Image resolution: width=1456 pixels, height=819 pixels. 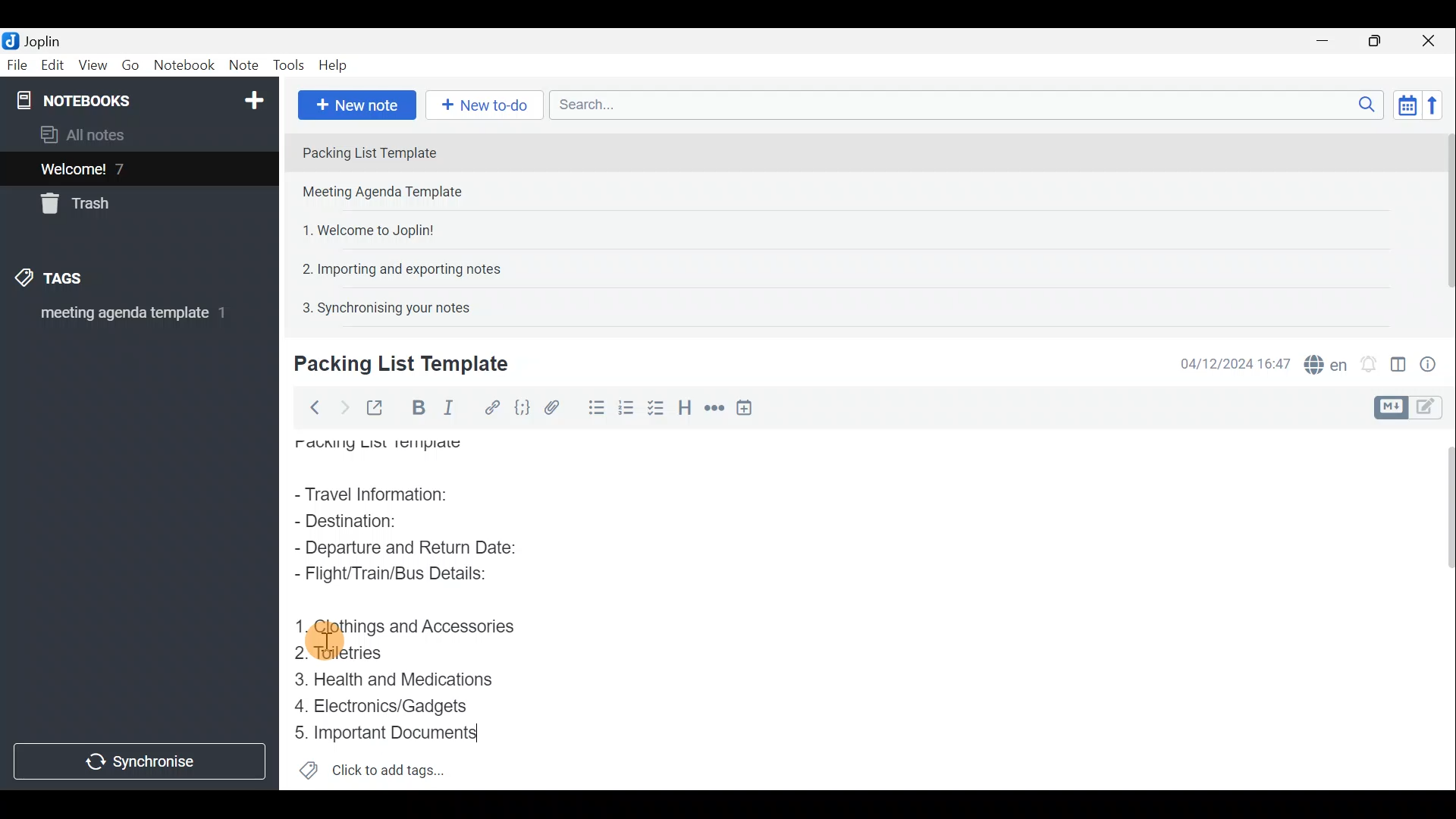 I want to click on New note, so click(x=356, y=103).